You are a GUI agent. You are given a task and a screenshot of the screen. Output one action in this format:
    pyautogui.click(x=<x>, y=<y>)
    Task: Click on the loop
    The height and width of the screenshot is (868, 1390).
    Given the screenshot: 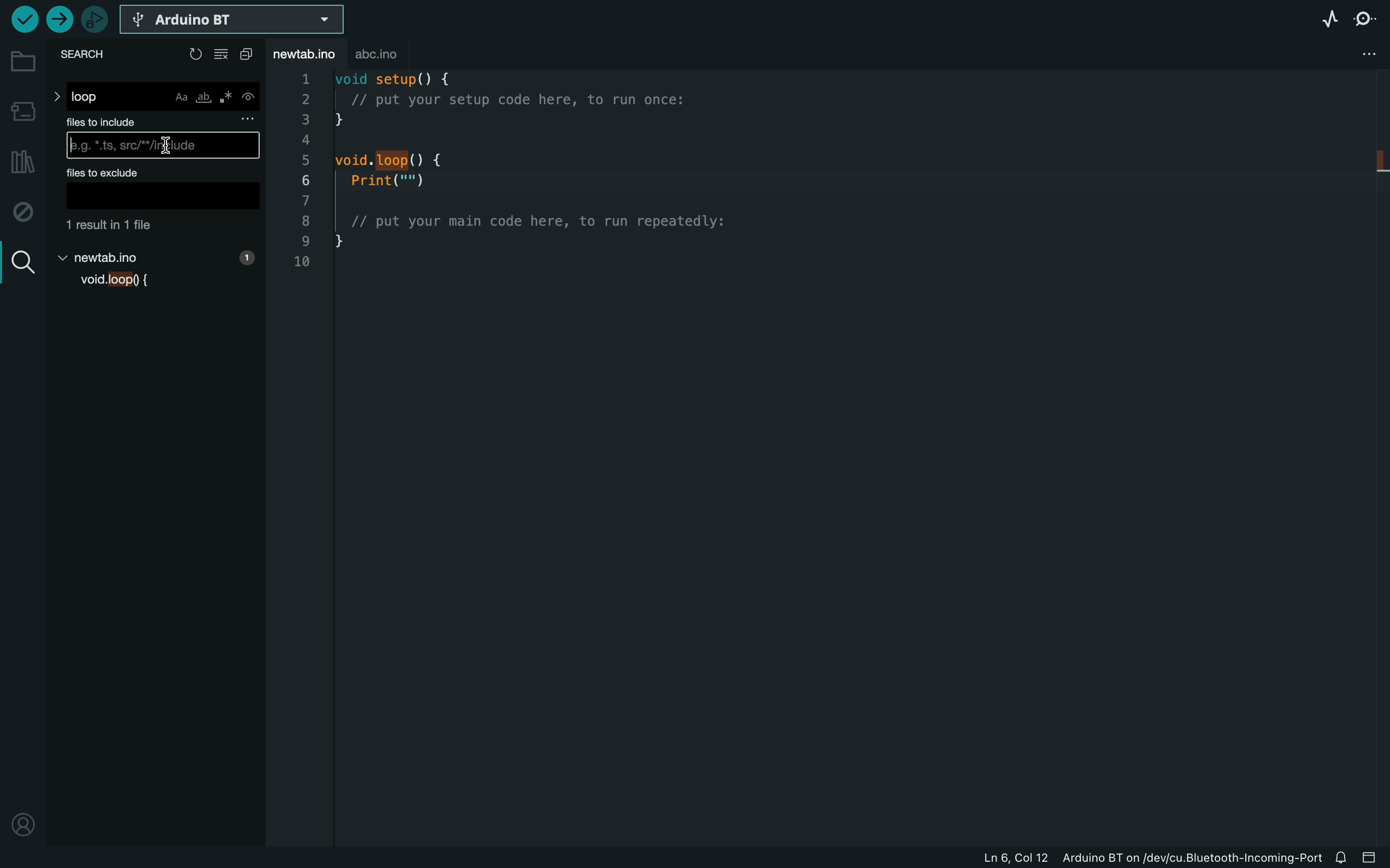 What is the action you would take?
    pyautogui.click(x=156, y=96)
    